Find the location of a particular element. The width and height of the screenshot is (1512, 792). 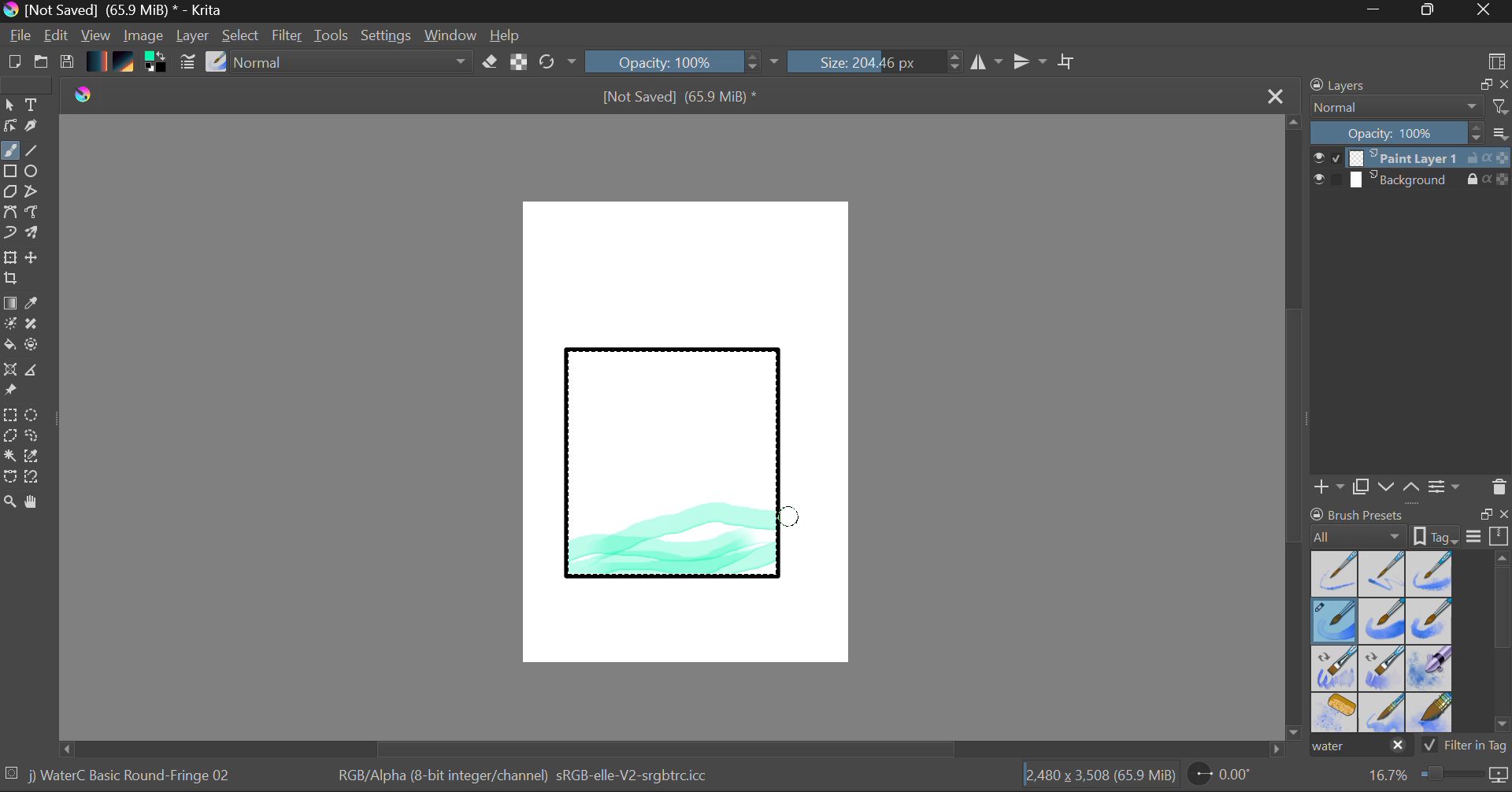

Water C - Special Splats is located at coordinates (1336, 712).